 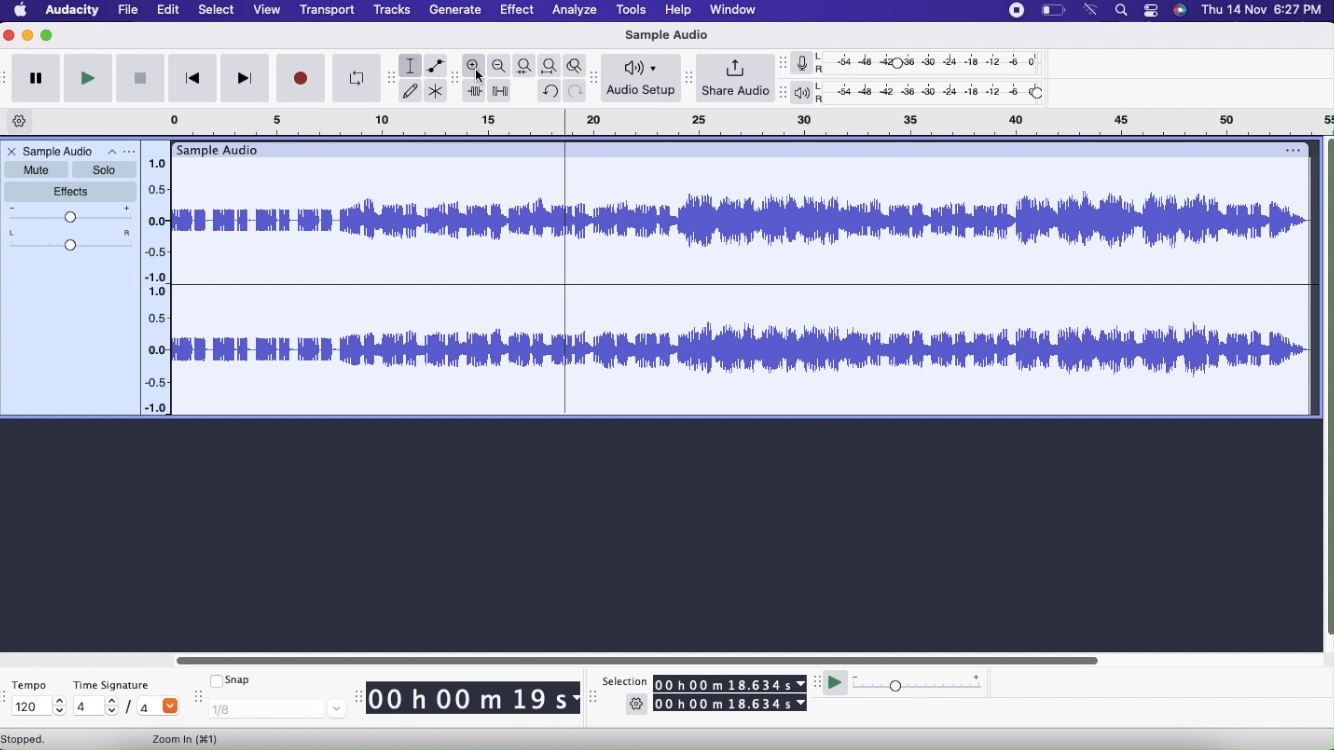 I want to click on Zoom In, so click(x=474, y=65).